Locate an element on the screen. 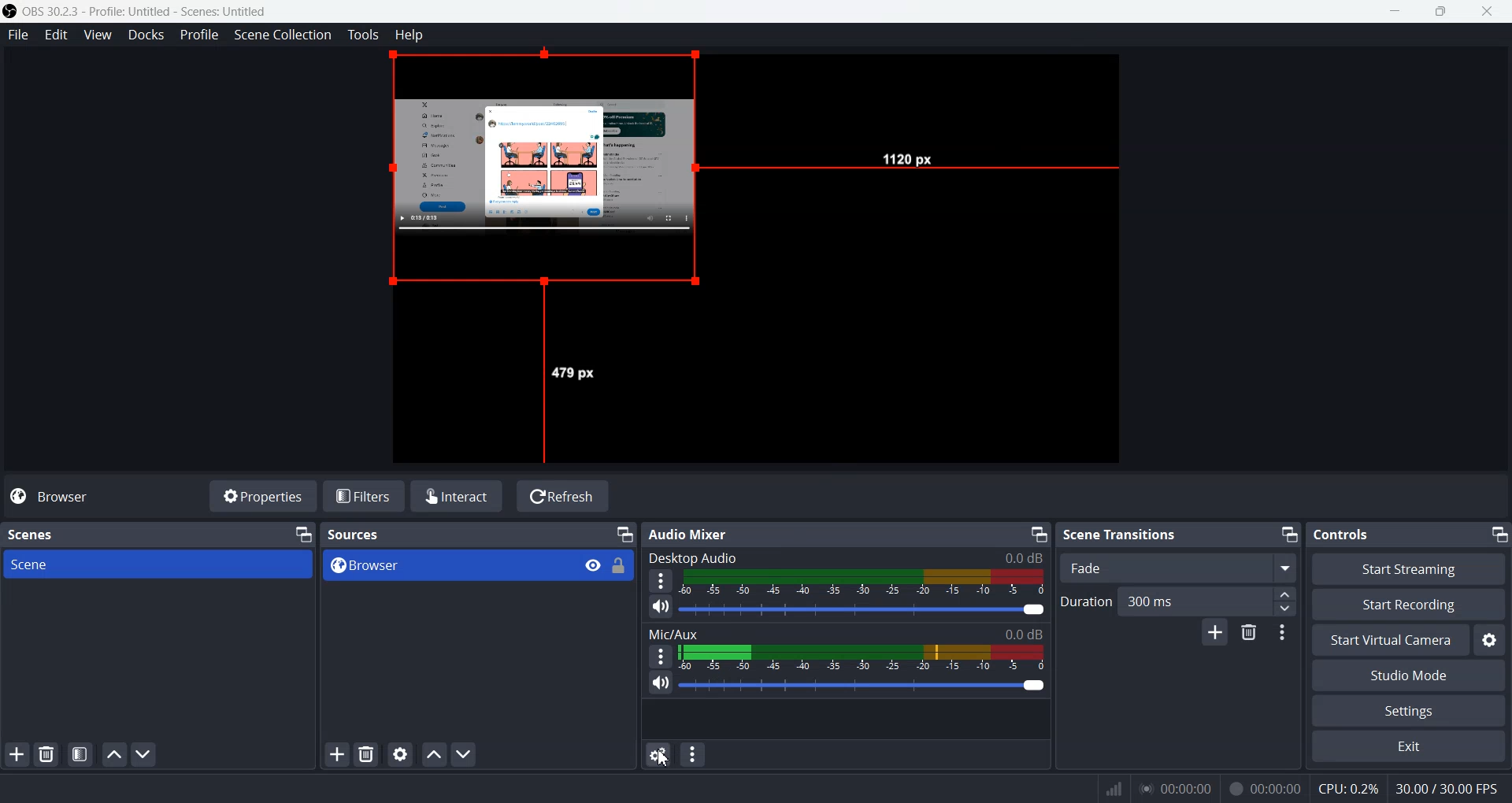 The height and width of the screenshot is (803, 1512). Signals is located at coordinates (1109, 789).